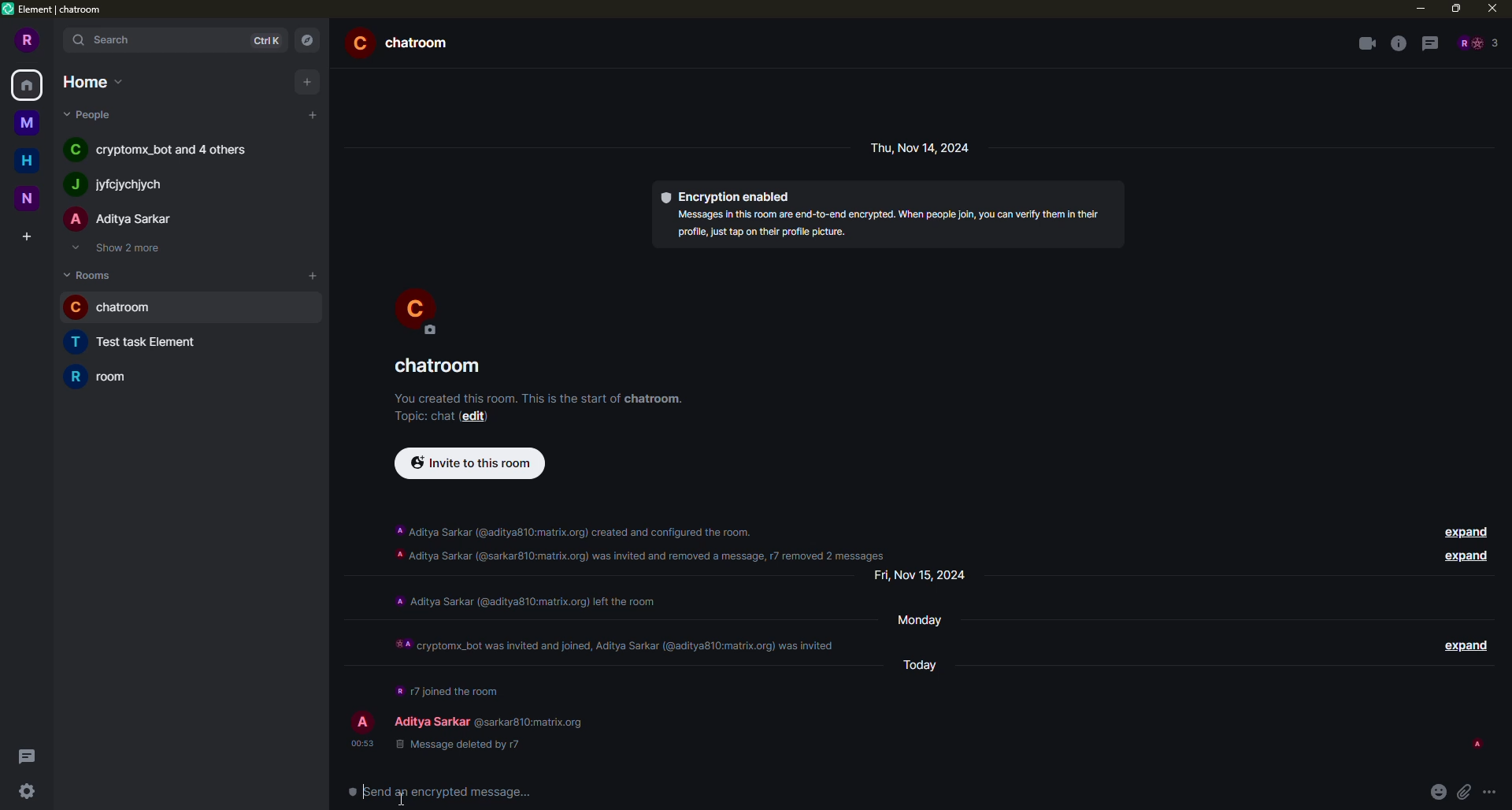 Image resolution: width=1512 pixels, height=810 pixels. I want to click on navigator, so click(307, 39).